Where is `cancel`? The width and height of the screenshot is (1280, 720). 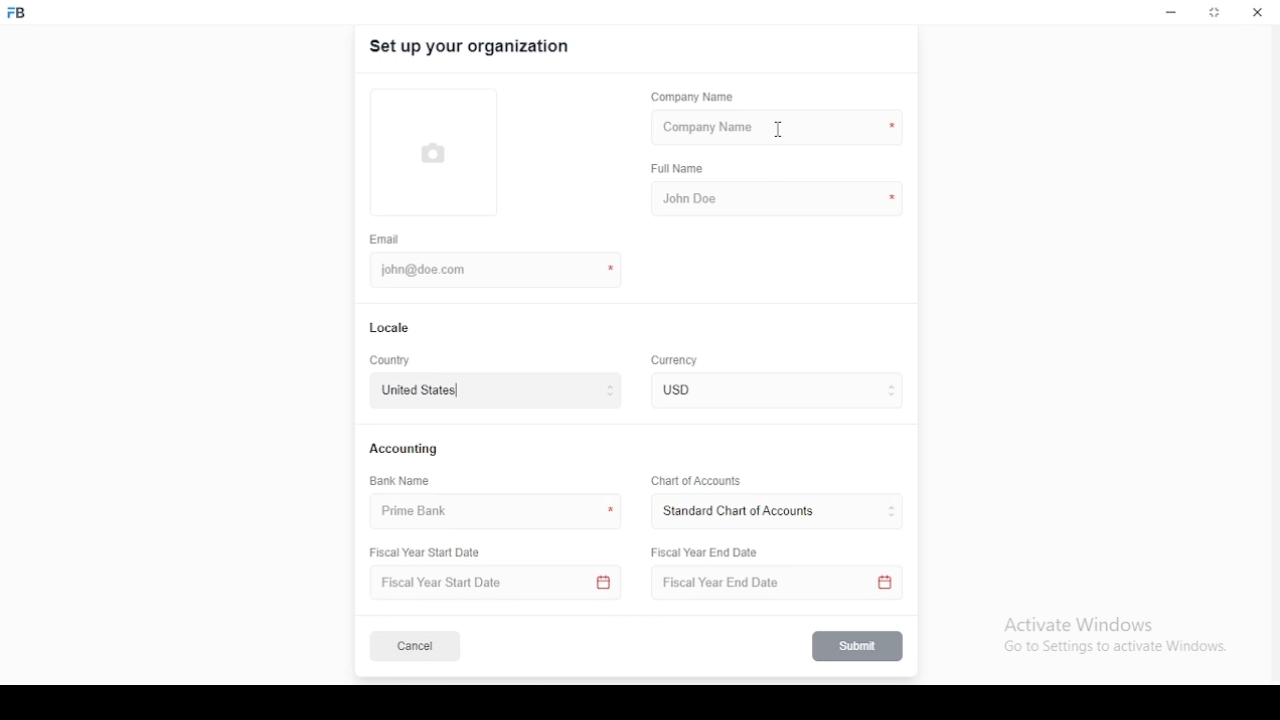 cancel is located at coordinates (415, 647).